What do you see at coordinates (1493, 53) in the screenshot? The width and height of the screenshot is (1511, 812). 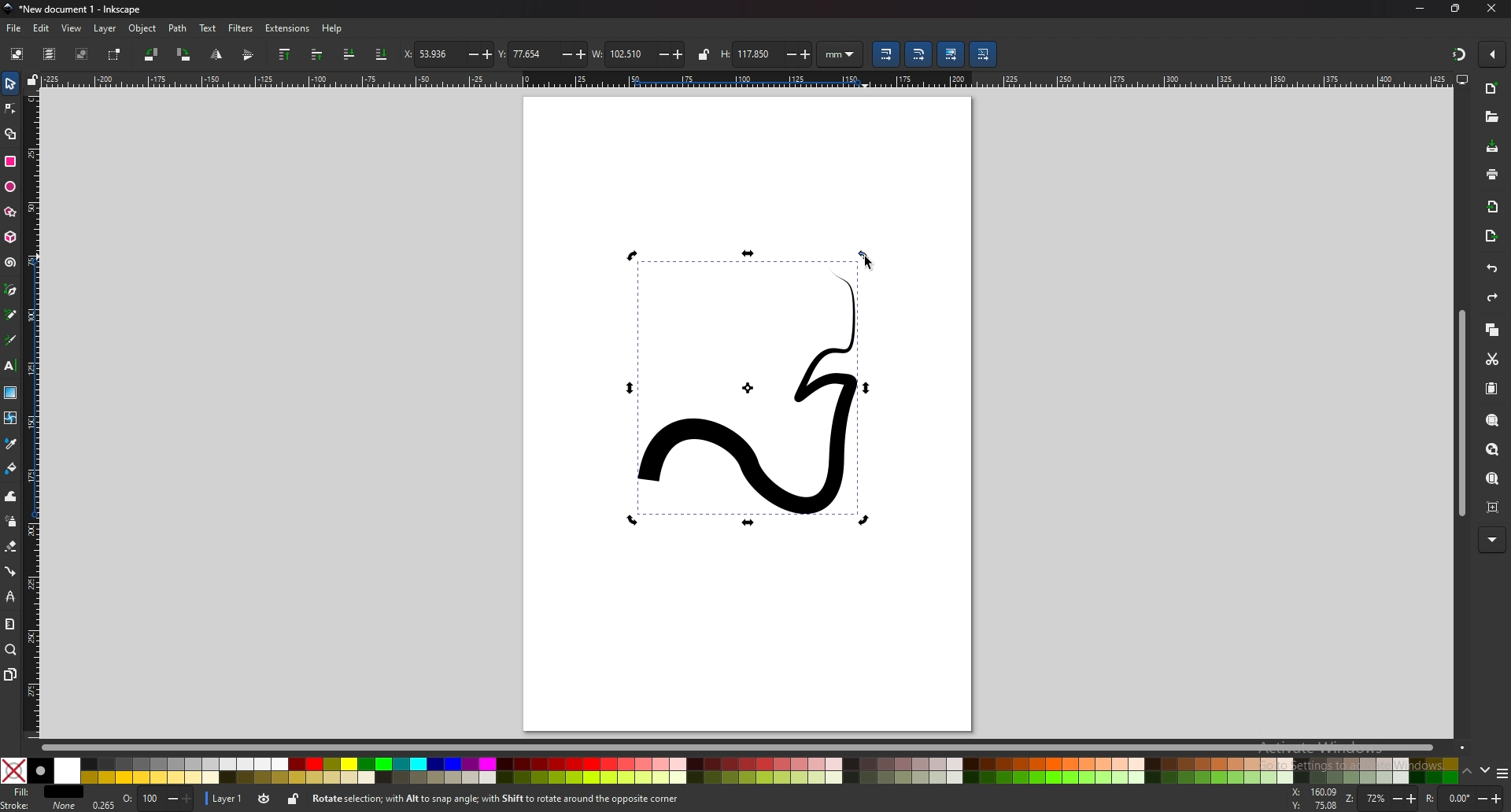 I see `enable snapping` at bounding box center [1493, 53].